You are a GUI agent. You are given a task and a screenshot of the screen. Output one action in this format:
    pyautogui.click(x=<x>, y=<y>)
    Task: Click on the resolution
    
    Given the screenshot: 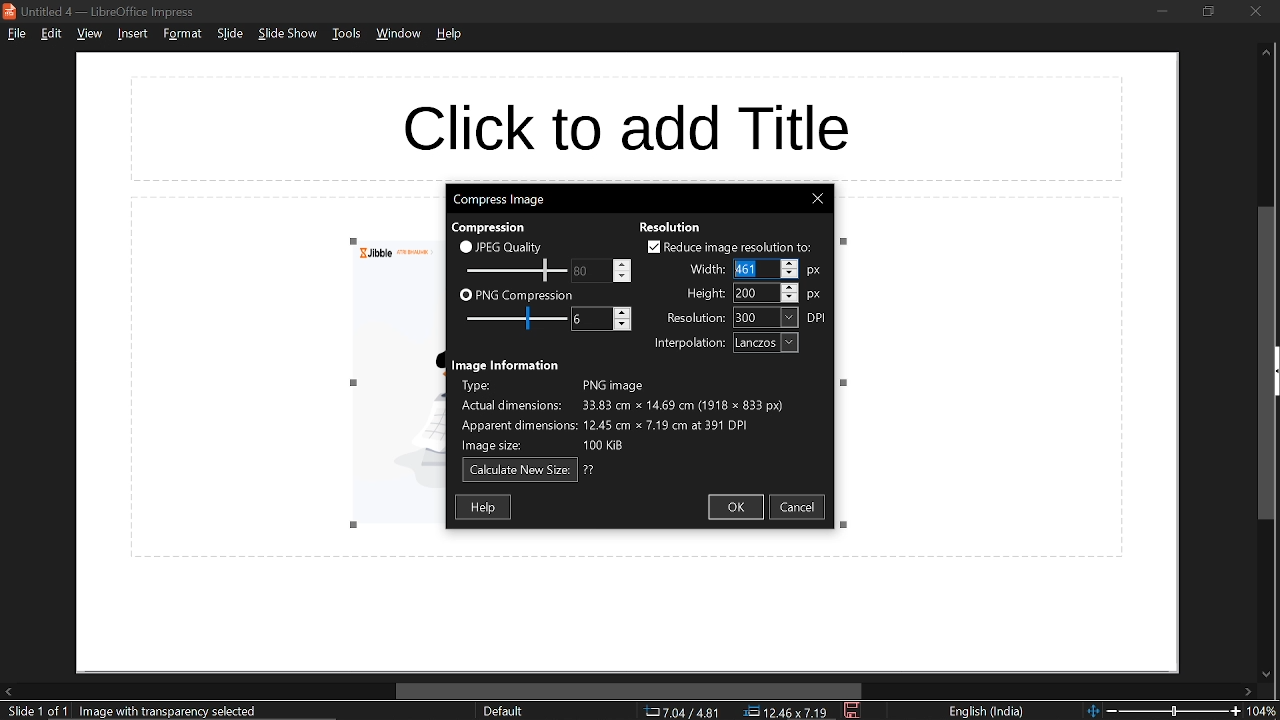 What is the action you would take?
    pyautogui.click(x=766, y=318)
    